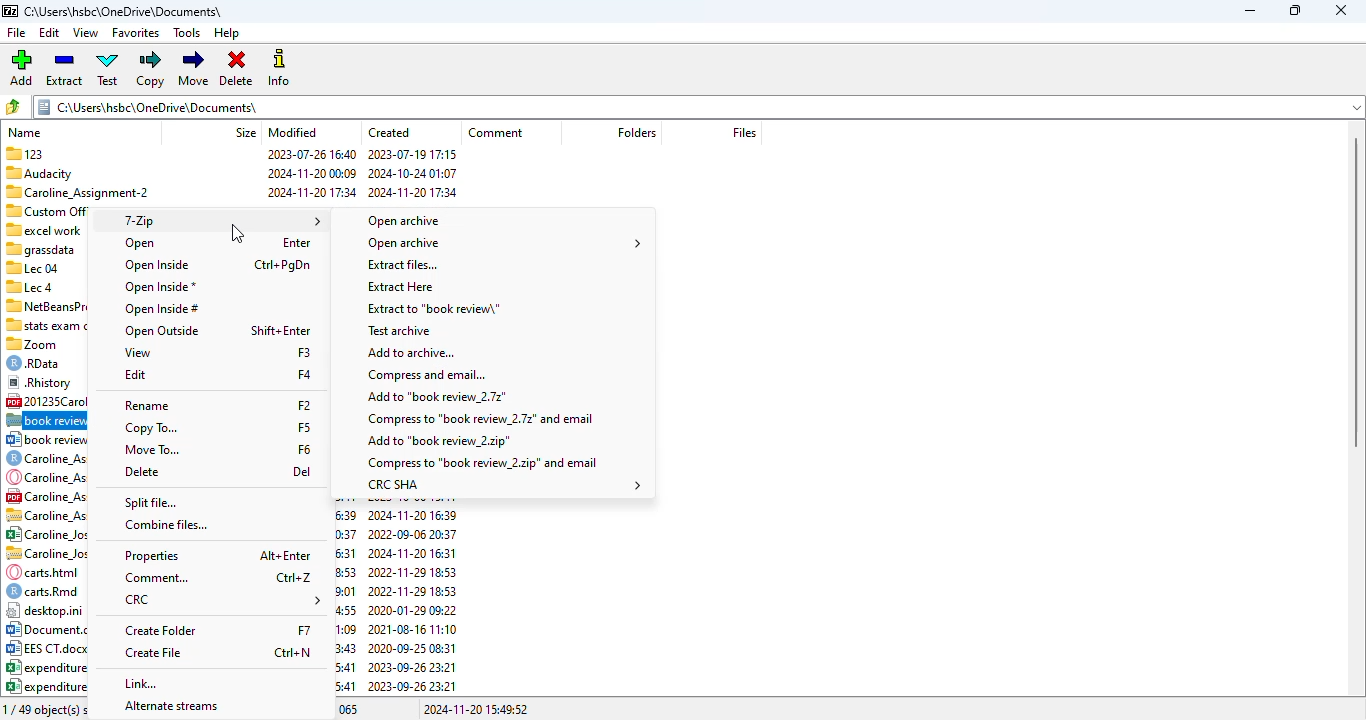 The height and width of the screenshot is (720, 1366). Describe the element at coordinates (312, 176) in the screenshot. I see `modified date & time` at that location.